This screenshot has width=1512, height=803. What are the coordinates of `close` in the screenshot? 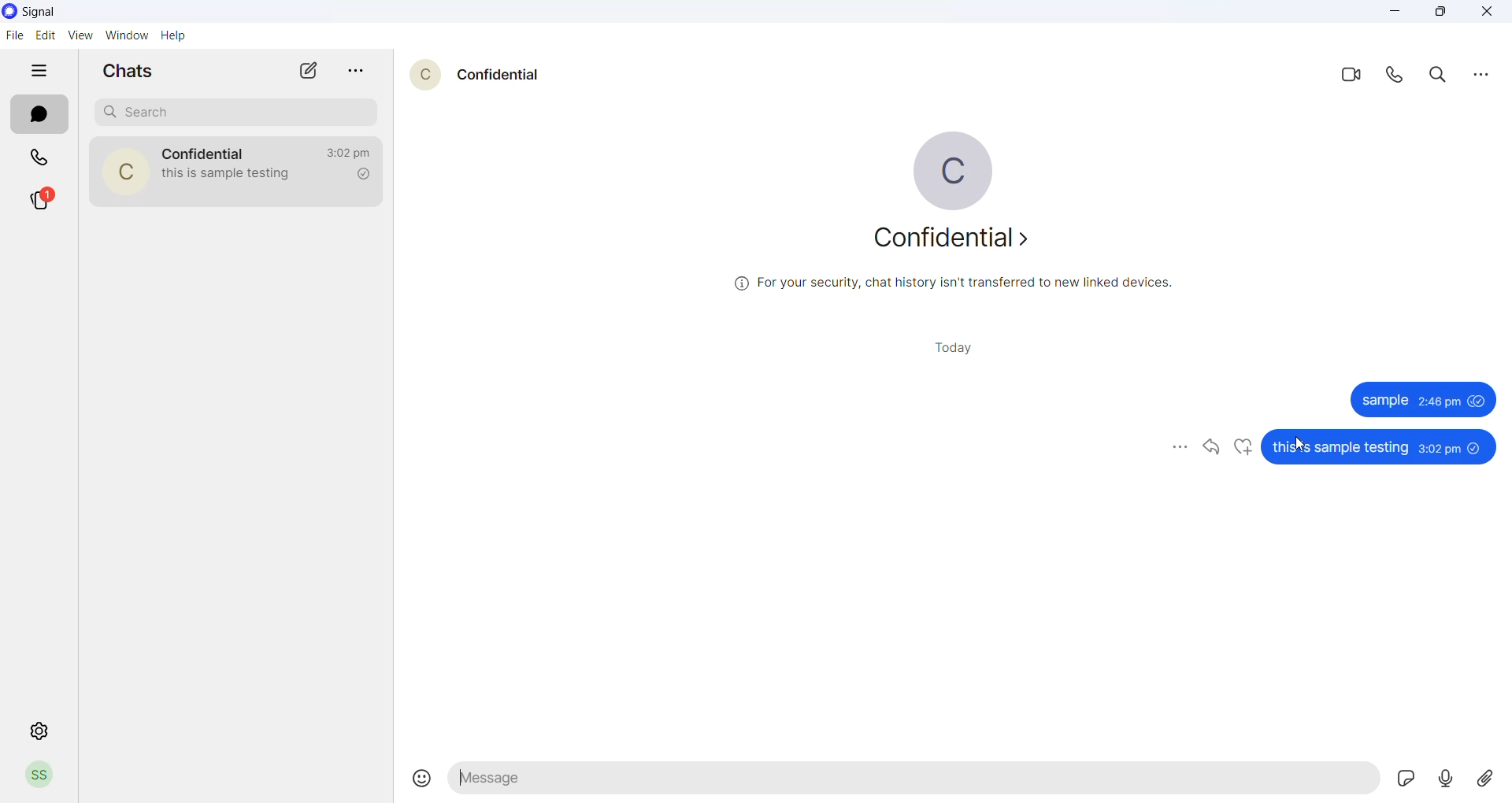 It's located at (1489, 13).